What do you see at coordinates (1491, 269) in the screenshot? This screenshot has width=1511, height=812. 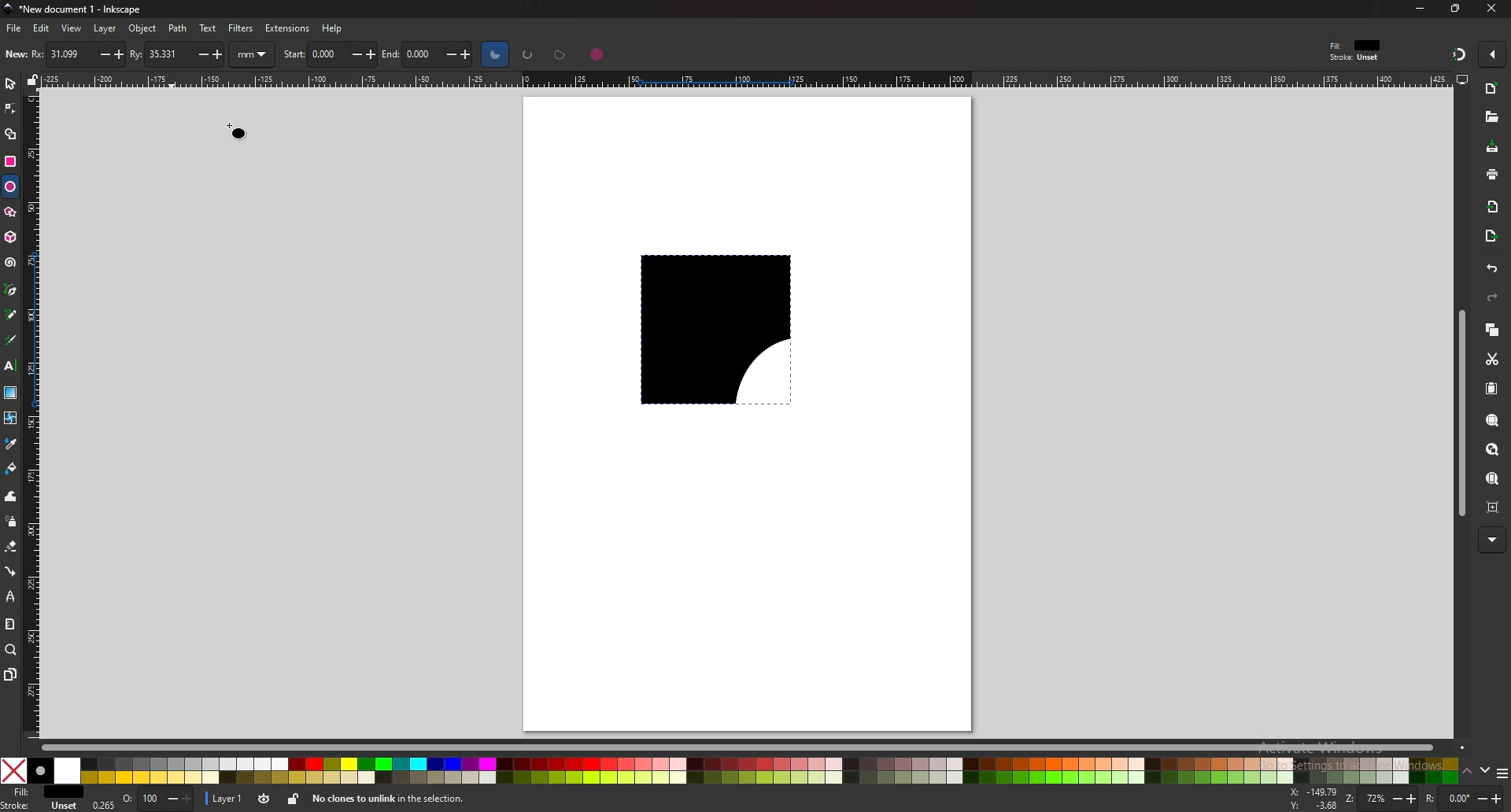 I see `undo` at bounding box center [1491, 269].